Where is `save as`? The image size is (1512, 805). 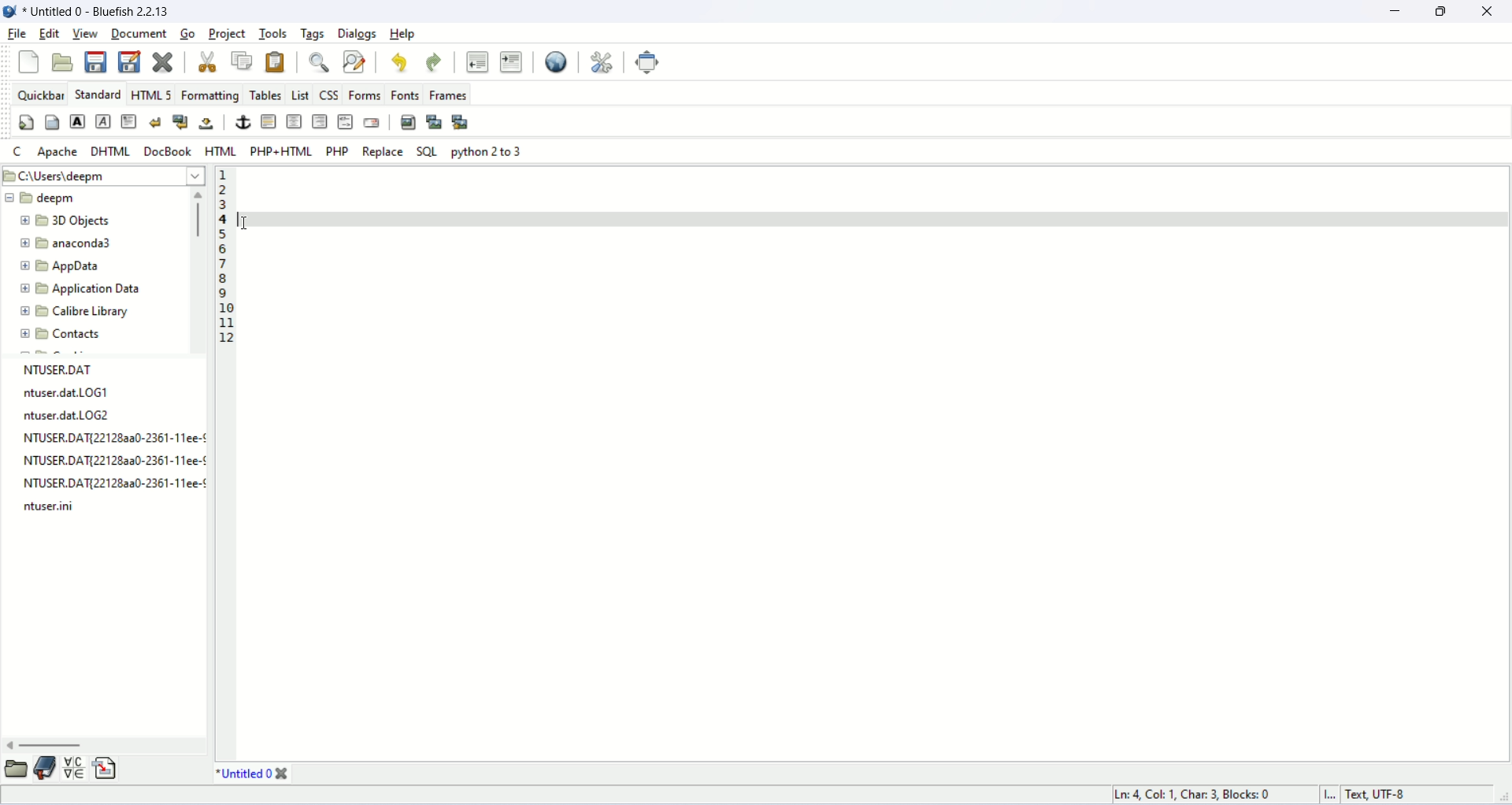 save as is located at coordinates (130, 62).